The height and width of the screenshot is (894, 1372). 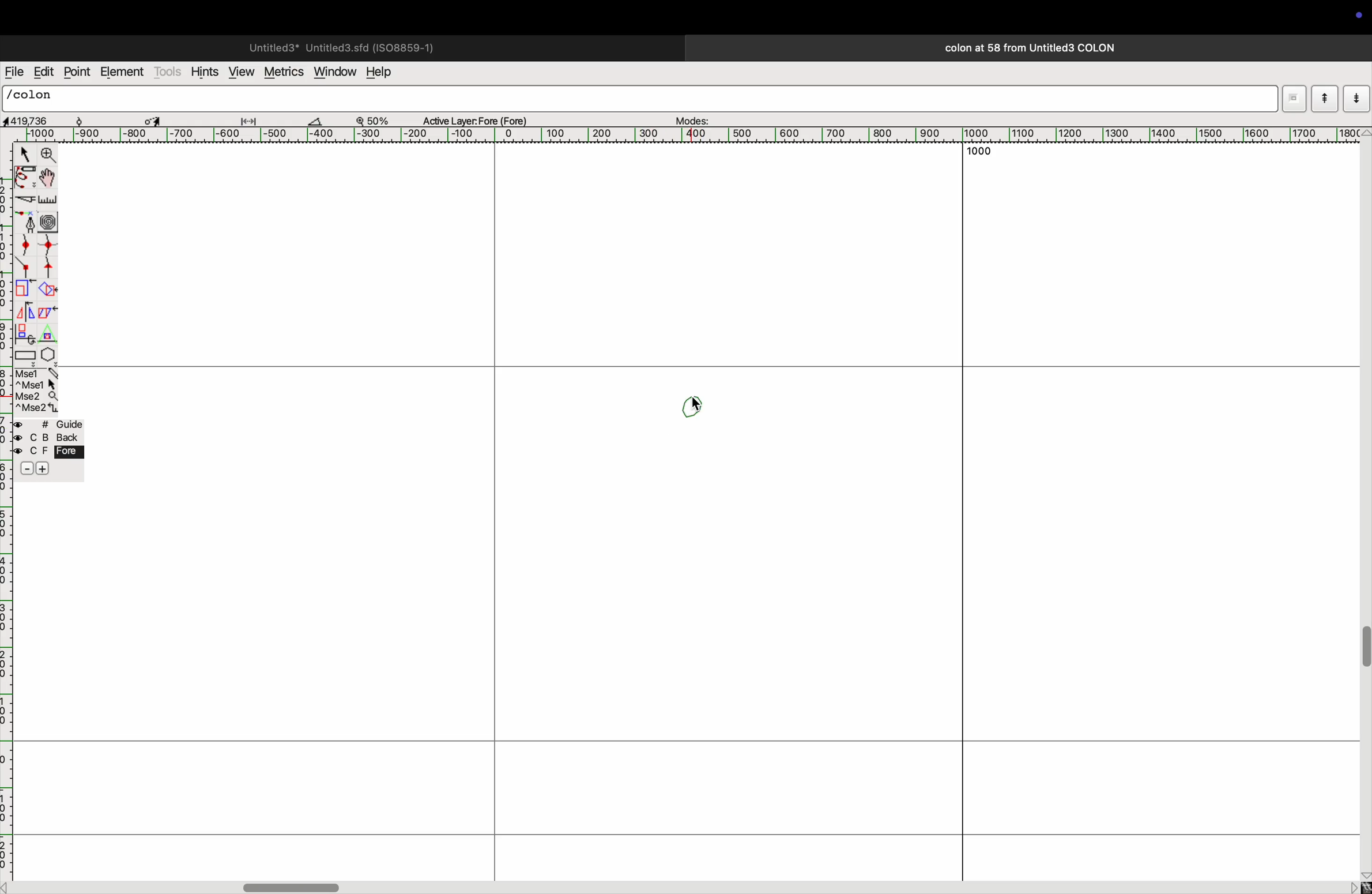 I want to click on window, so click(x=333, y=73).